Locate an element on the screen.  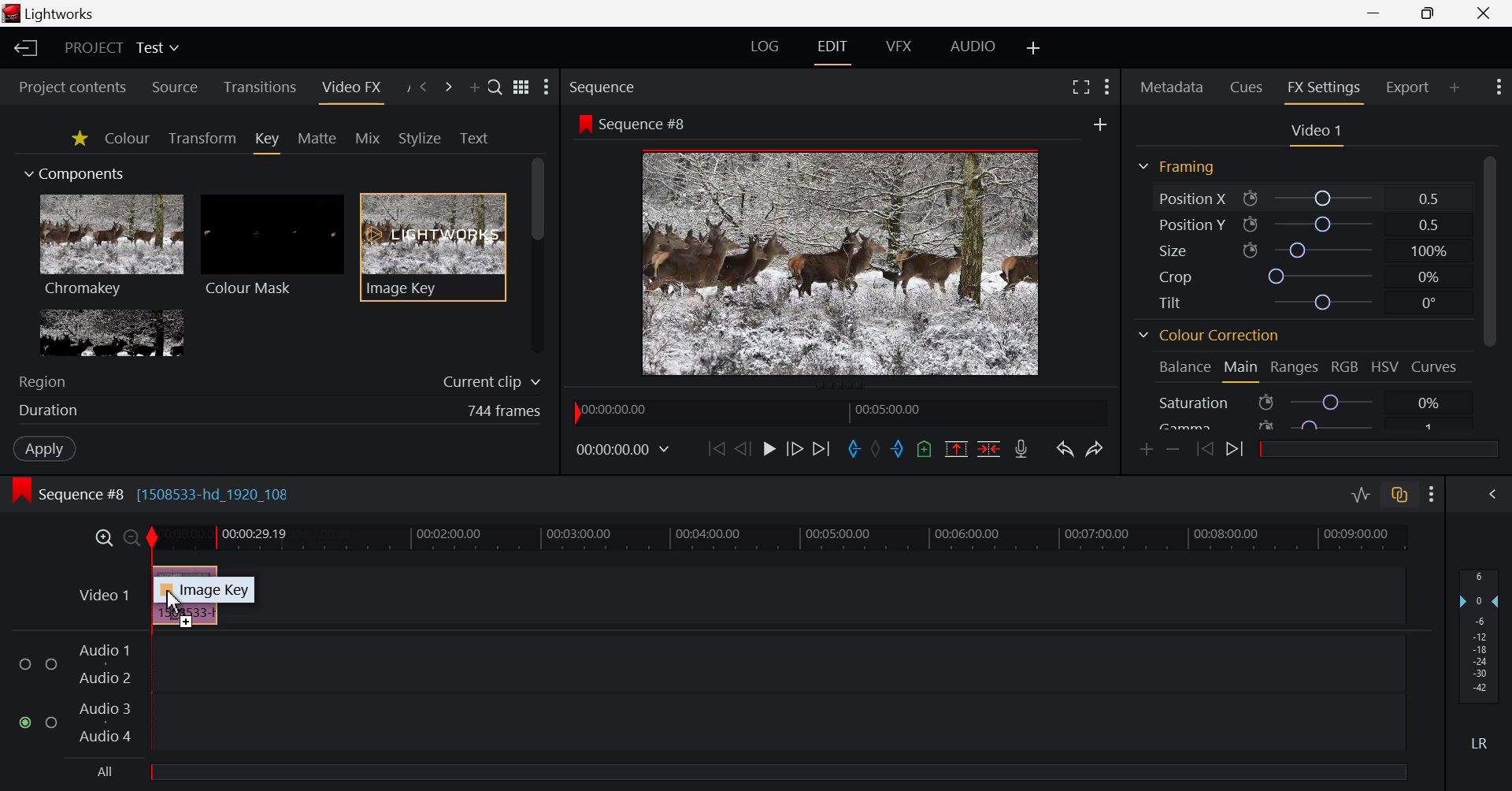
Saturation  is located at coordinates (1332, 403).